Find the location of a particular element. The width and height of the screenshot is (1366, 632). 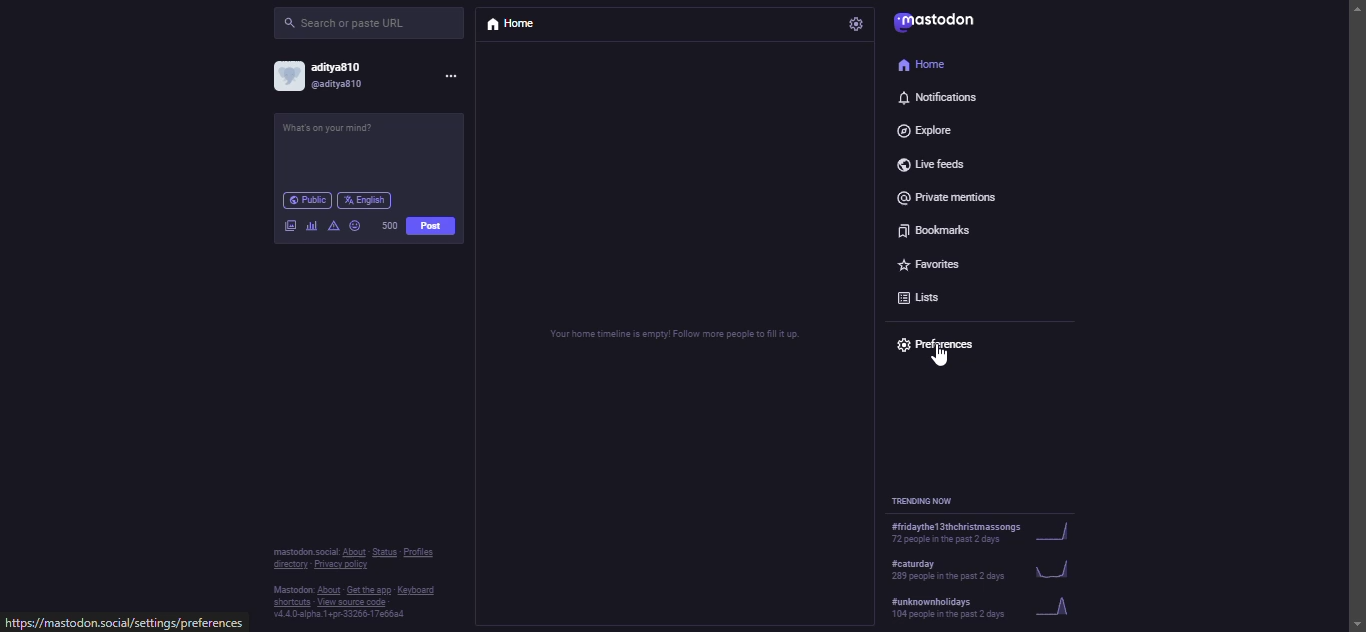

private mentions is located at coordinates (949, 197).